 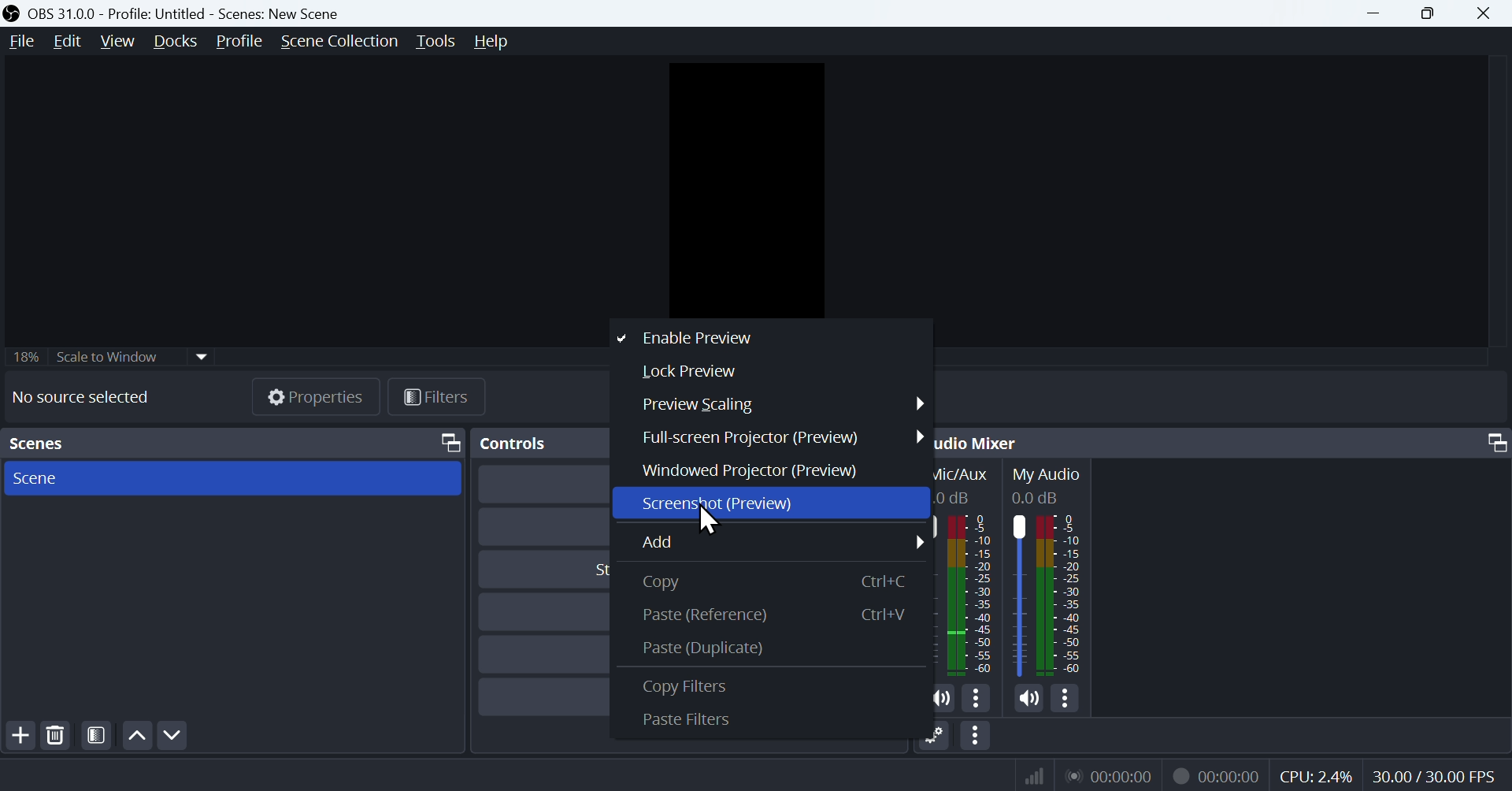 I want to click on CPU: 1.2%, so click(x=1318, y=775).